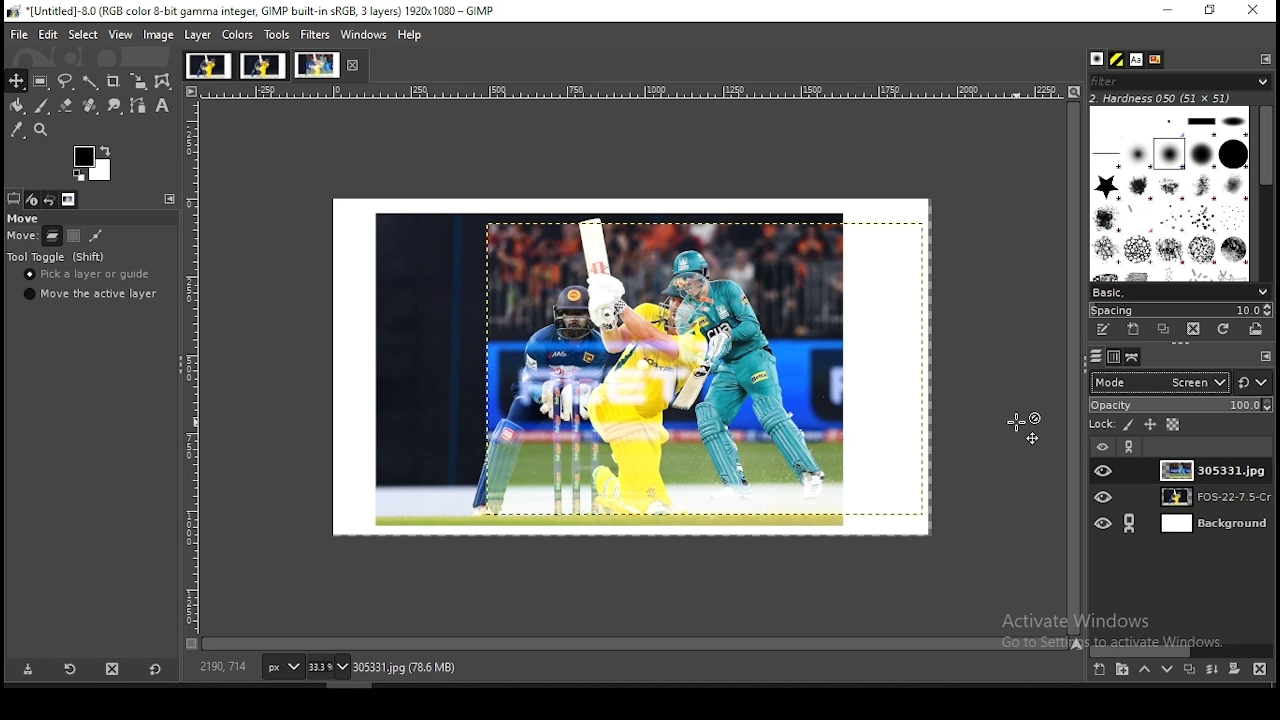 This screenshot has width=1280, height=720. I want to click on fonts, so click(1136, 59).